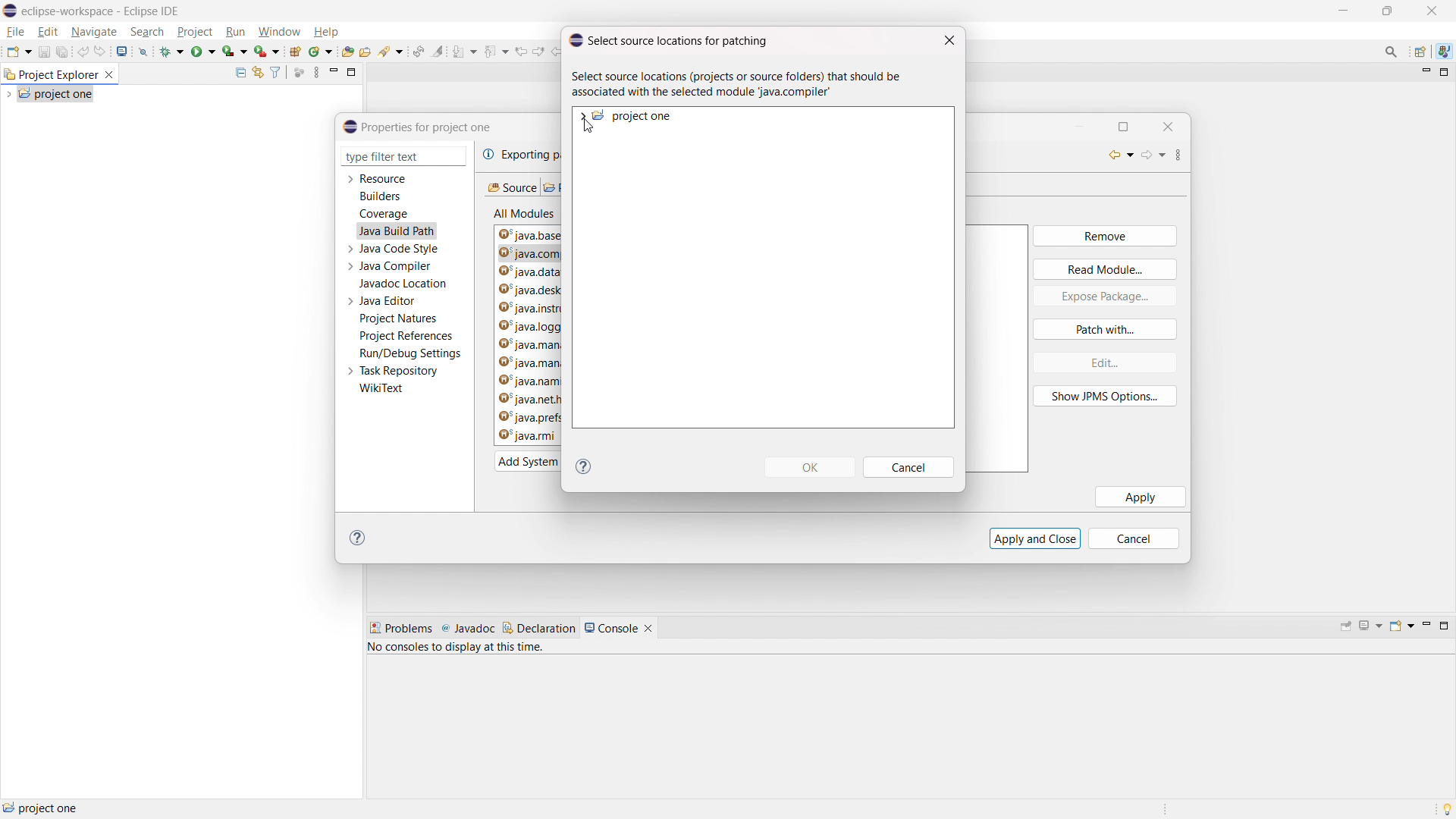 The image size is (1456, 819). I want to click on select and deselect filters, so click(275, 73).